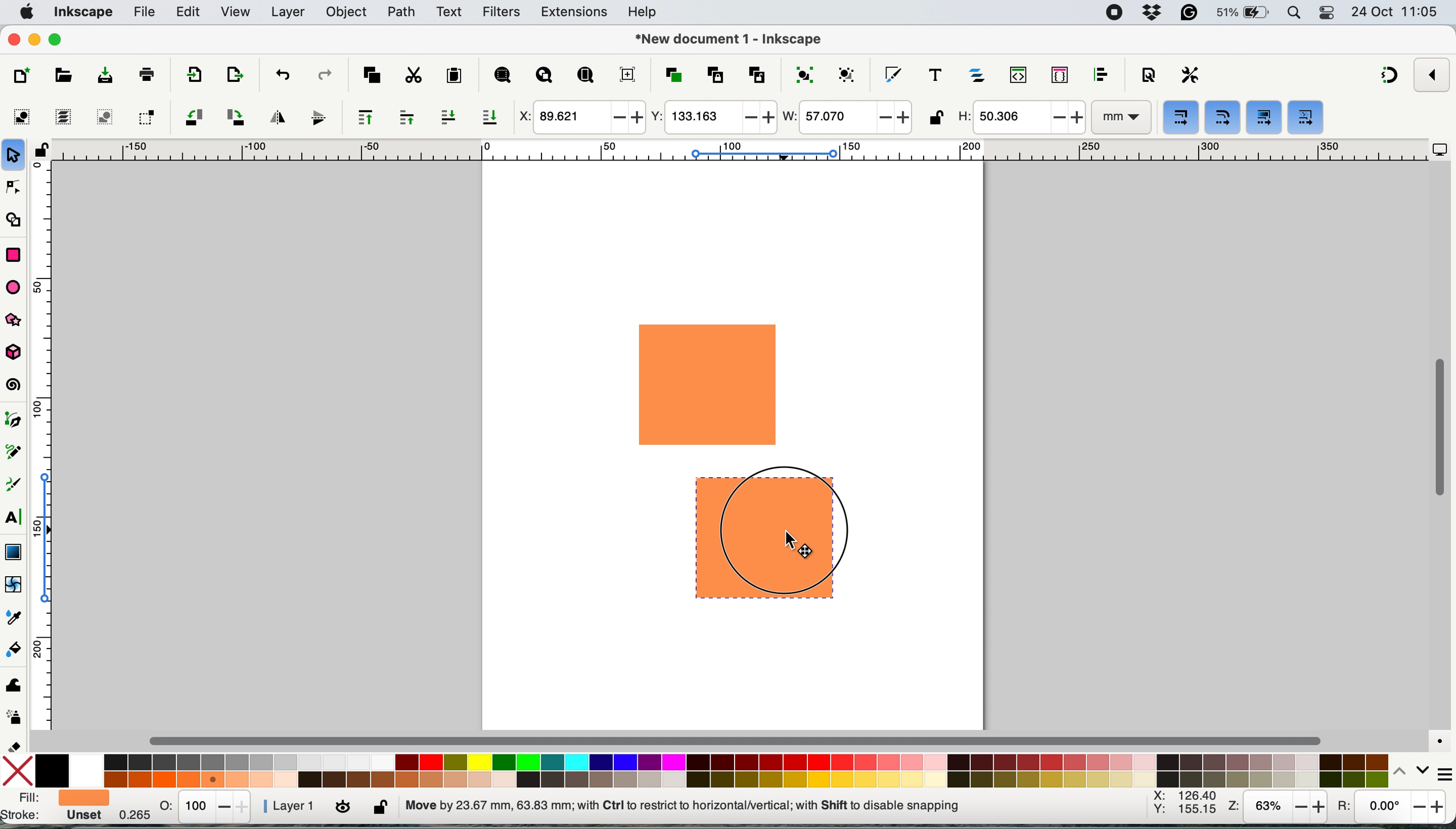 The height and width of the screenshot is (829, 1456). What do you see at coordinates (1389, 810) in the screenshot?
I see `rotation` at bounding box center [1389, 810].